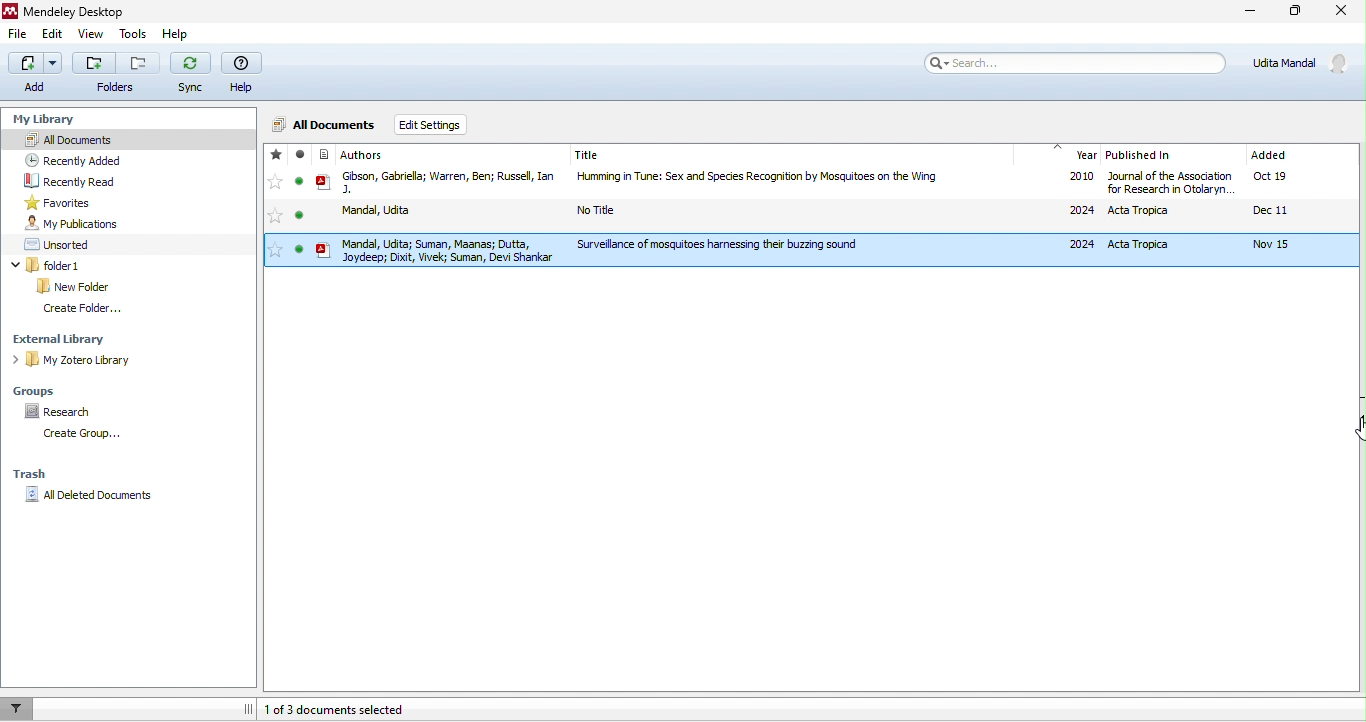  Describe the element at coordinates (67, 202) in the screenshot. I see `favourites` at that location.